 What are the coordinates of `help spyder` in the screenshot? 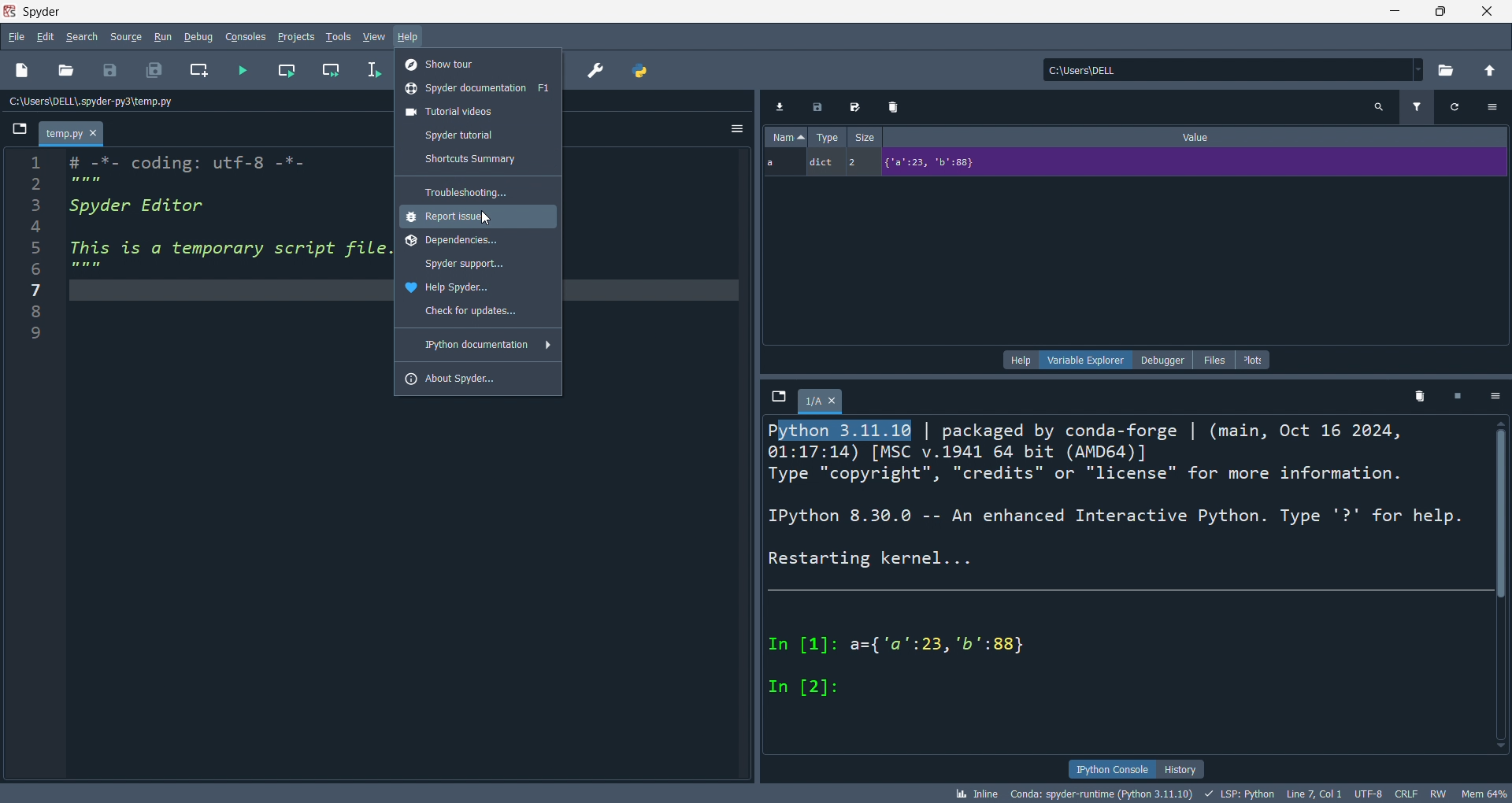 It's located at (479, 287).